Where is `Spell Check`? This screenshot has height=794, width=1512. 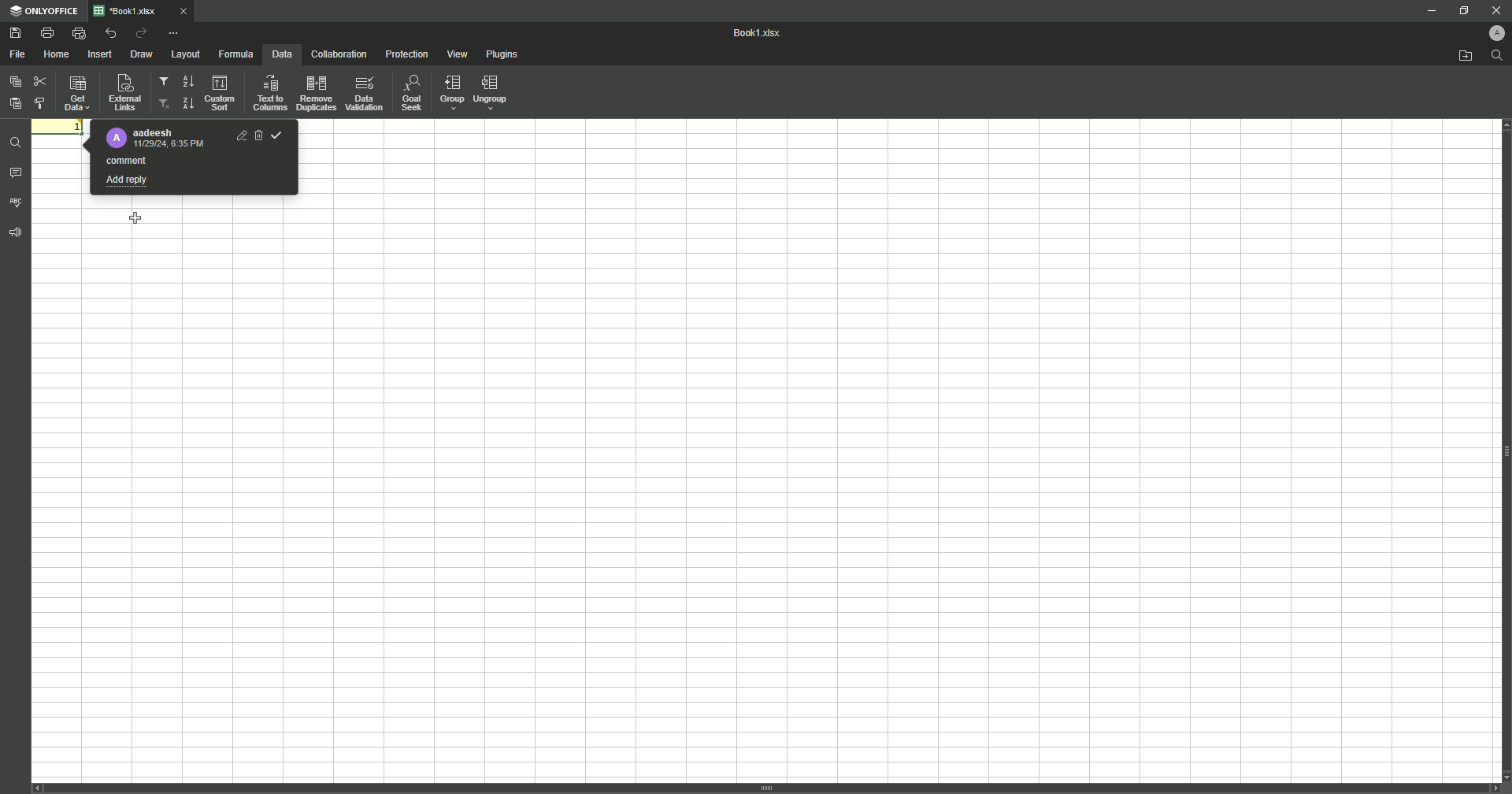
Spell Check is located at coordinates (17, 202).